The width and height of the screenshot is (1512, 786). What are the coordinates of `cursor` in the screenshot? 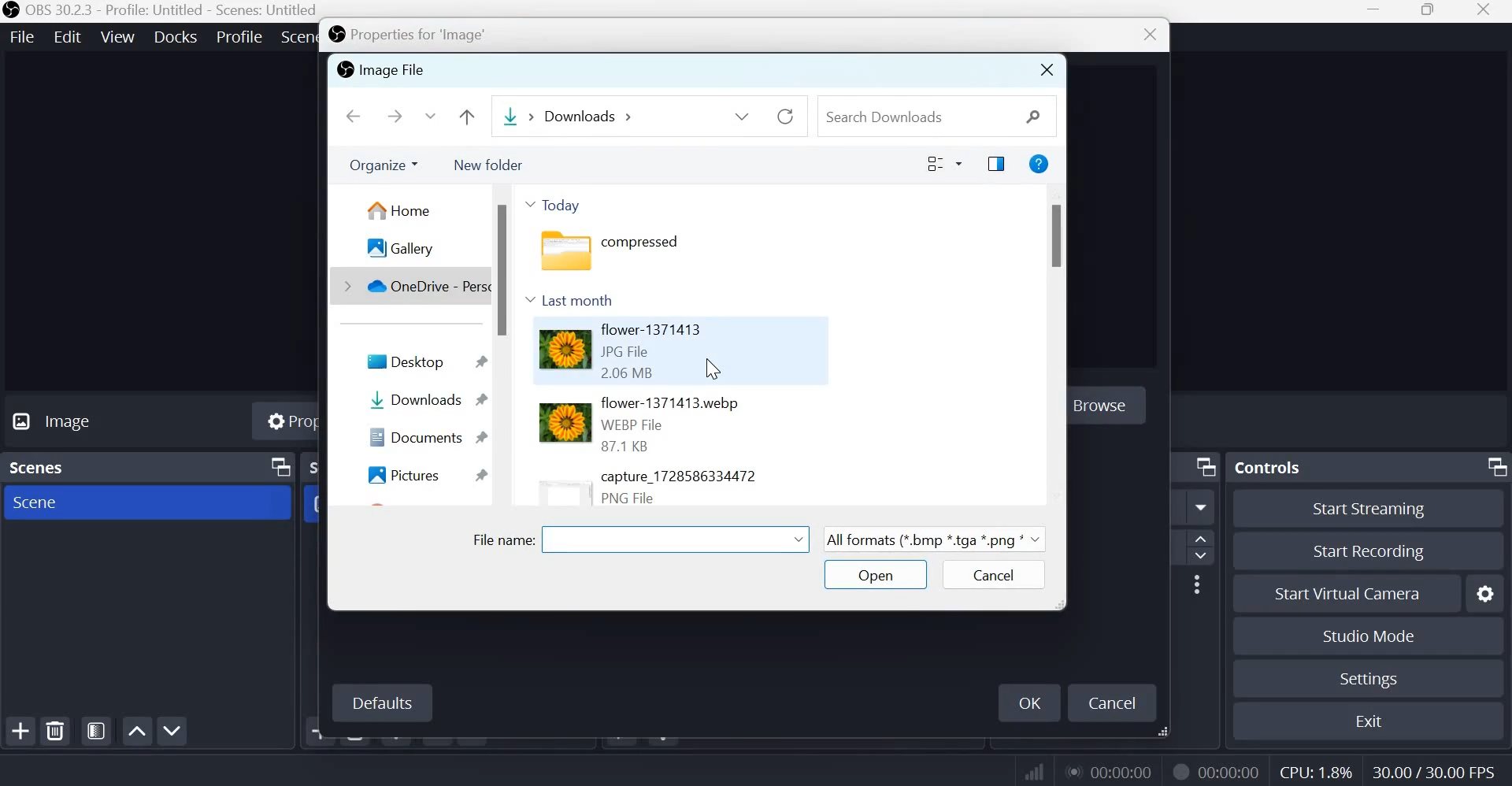 It's located at (717, 367).